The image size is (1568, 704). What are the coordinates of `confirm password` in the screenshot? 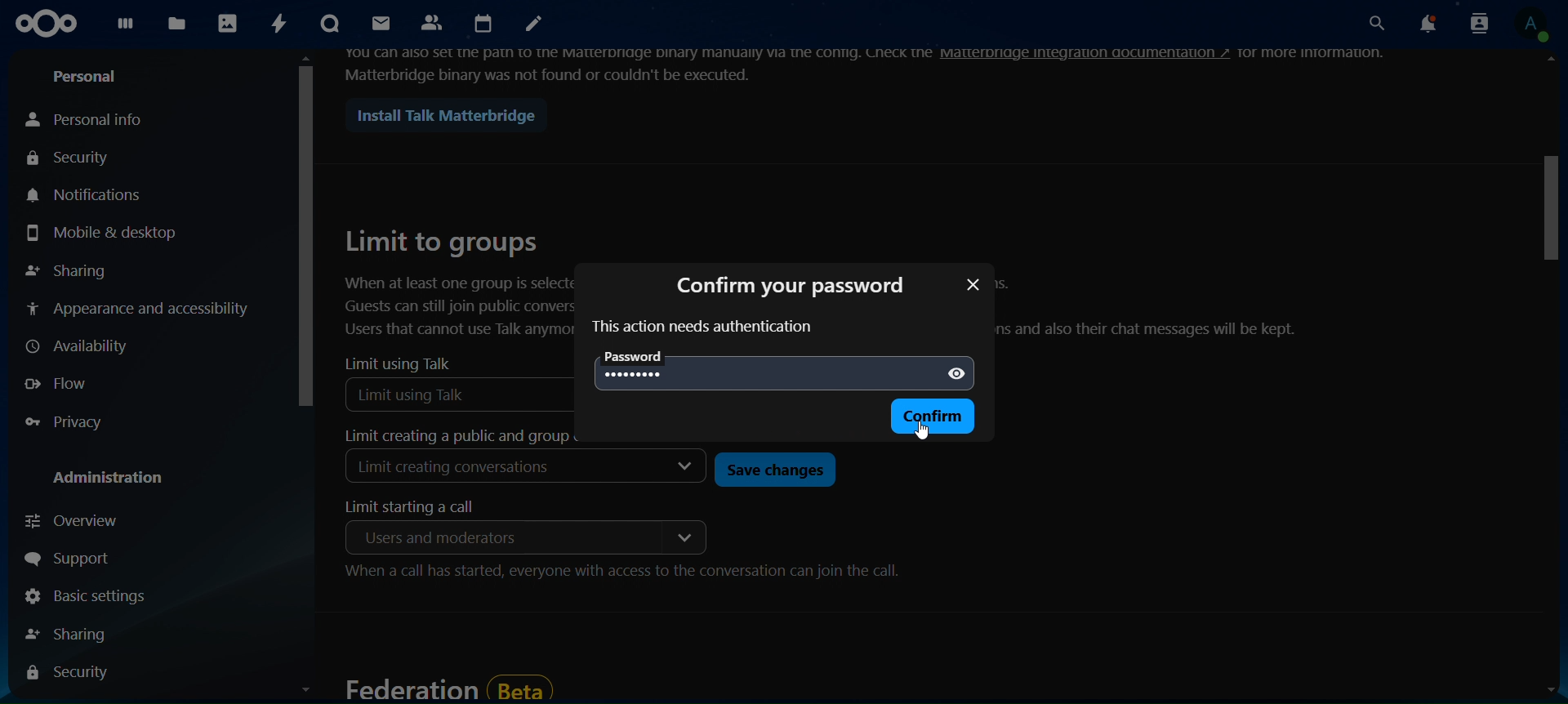 It's located at (785, 283).